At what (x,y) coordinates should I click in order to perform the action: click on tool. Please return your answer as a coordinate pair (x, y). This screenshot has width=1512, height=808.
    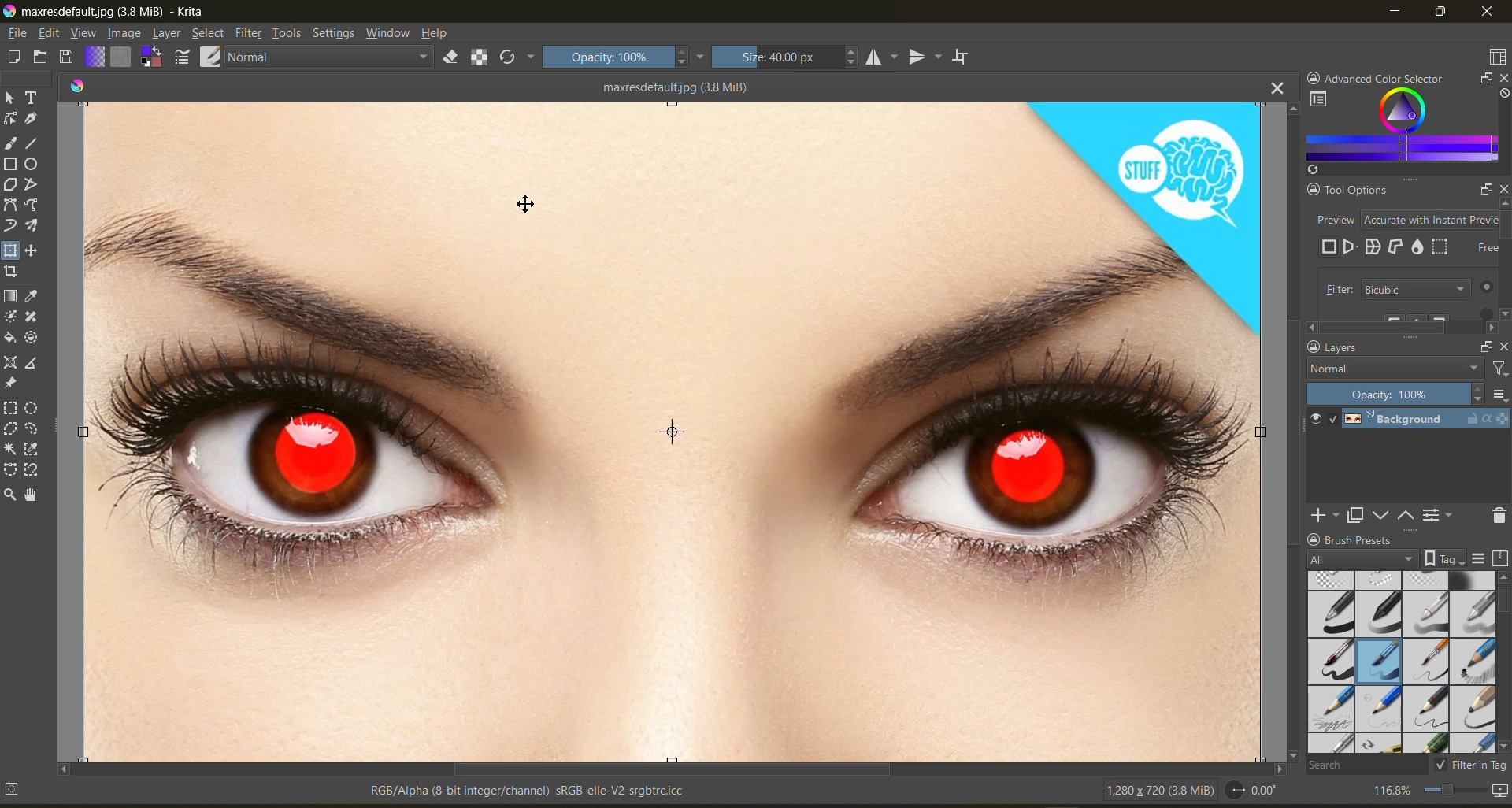
    Looking at the image, I should click on (11, 164).